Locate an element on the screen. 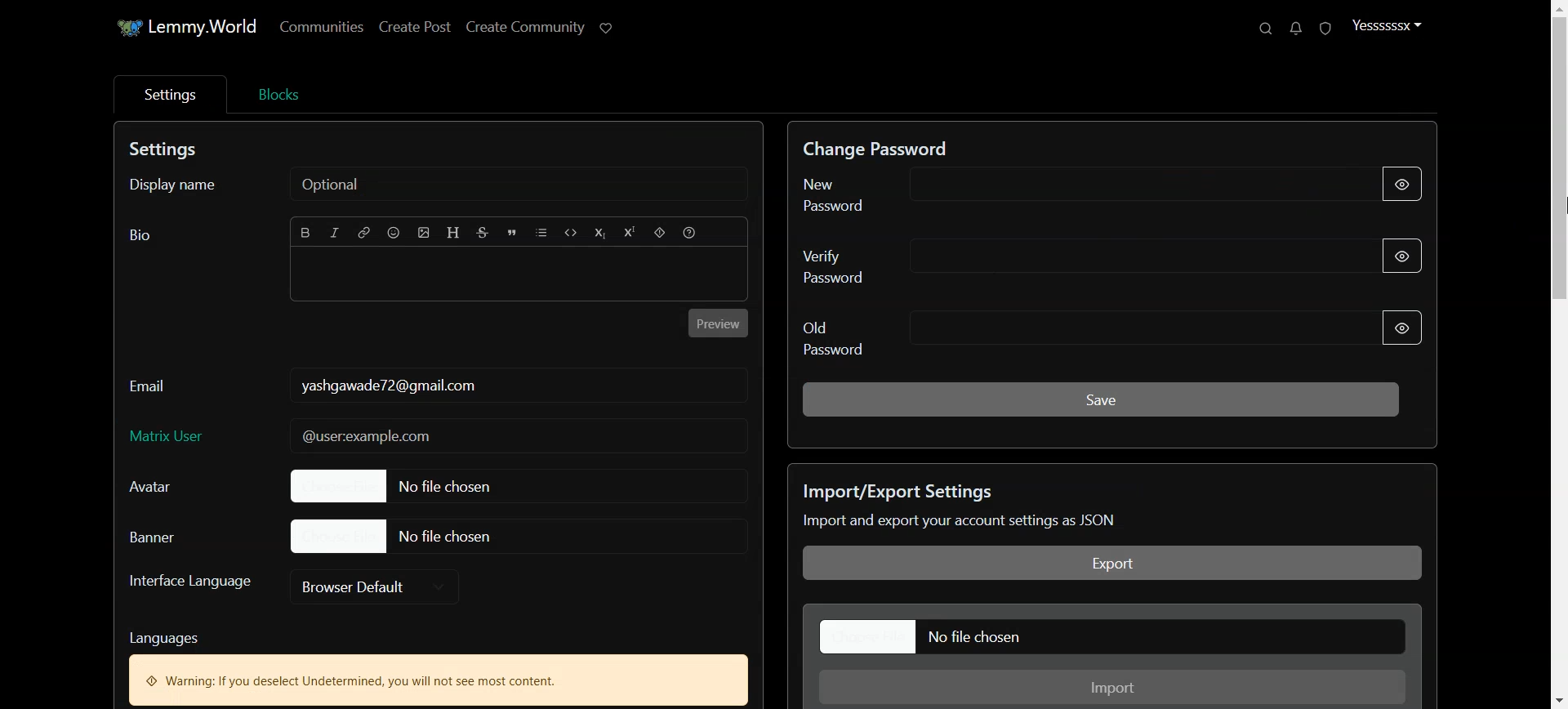  Scroll bar is located at coordinates (1554, 355).